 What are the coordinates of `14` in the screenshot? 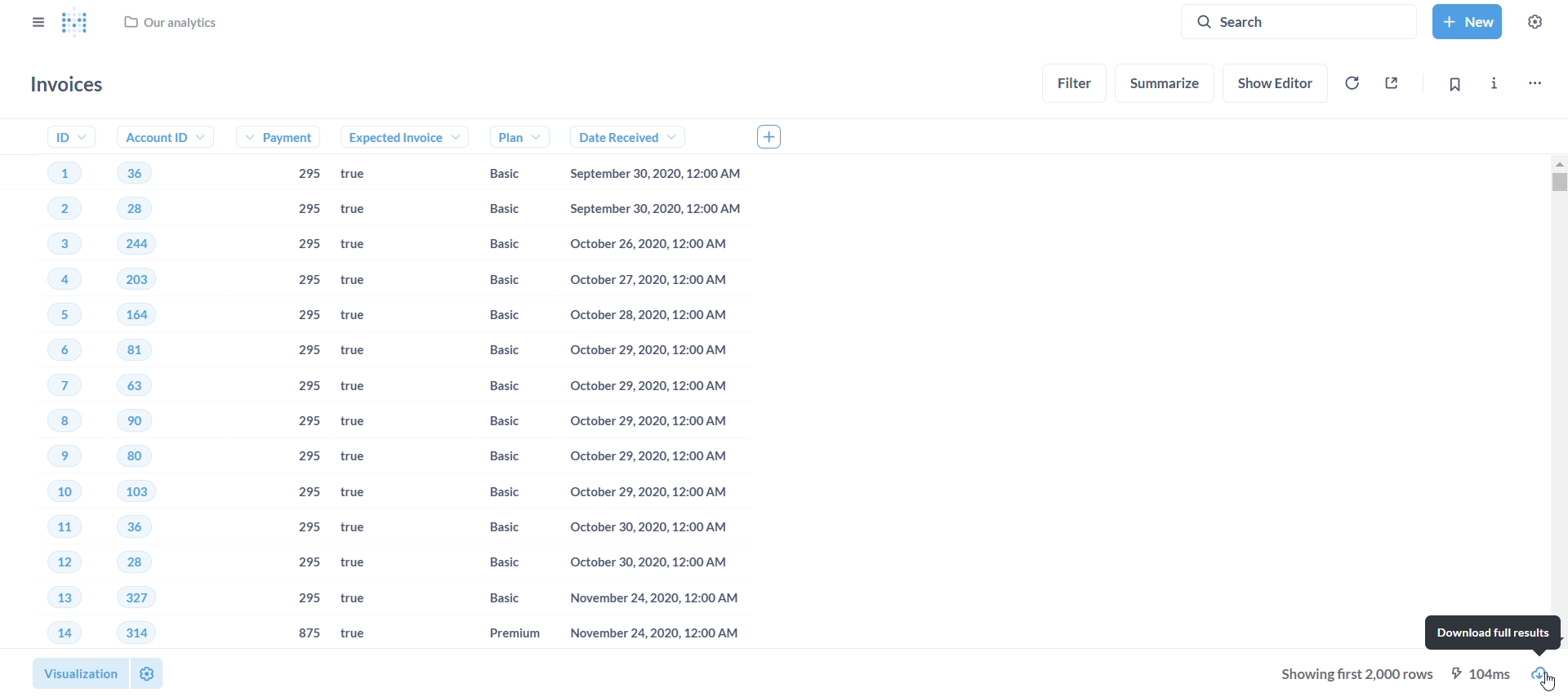 It's located at (52, 633).